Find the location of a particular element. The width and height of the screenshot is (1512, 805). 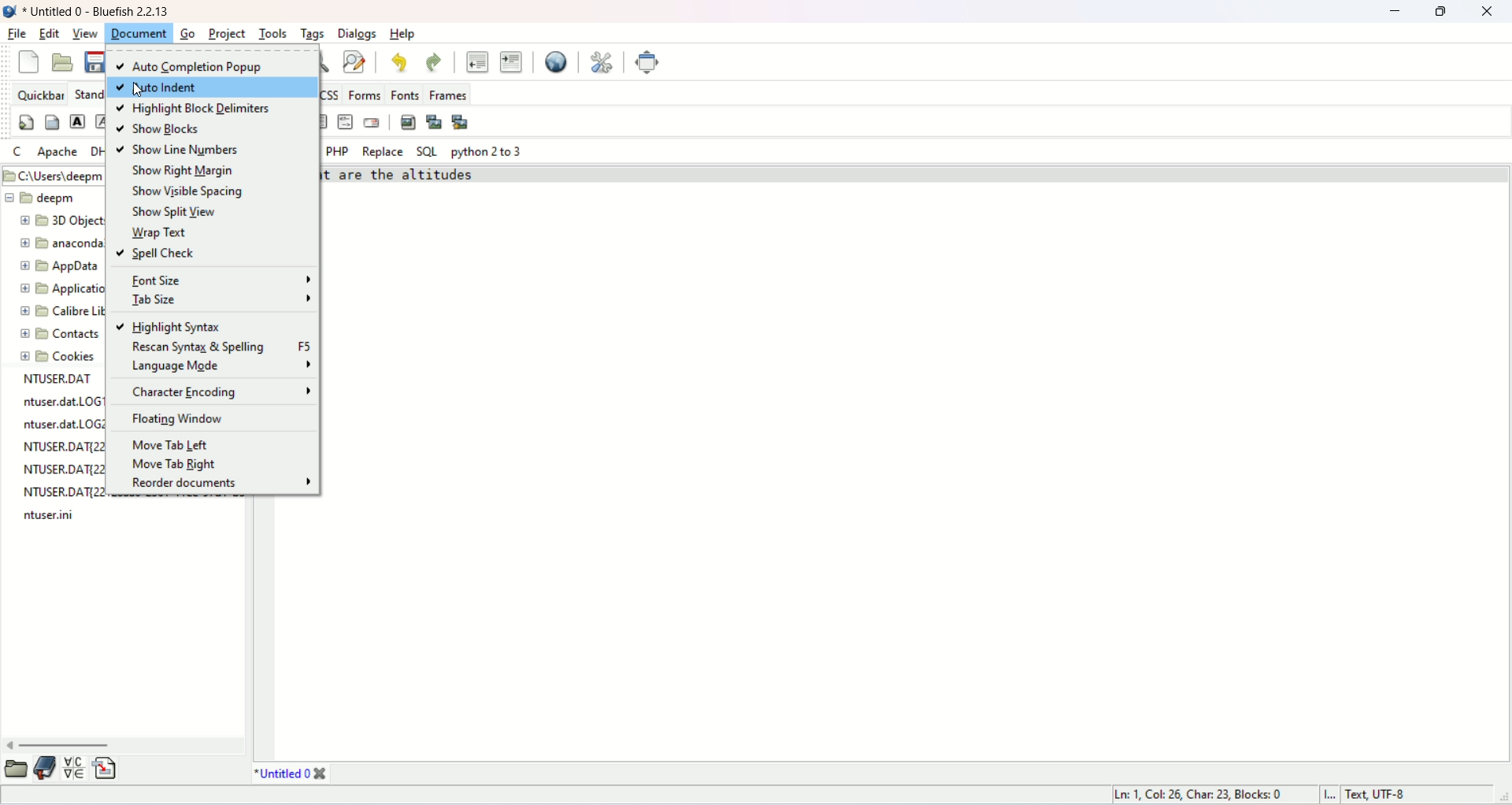

email is located at coordinates (371, 124).